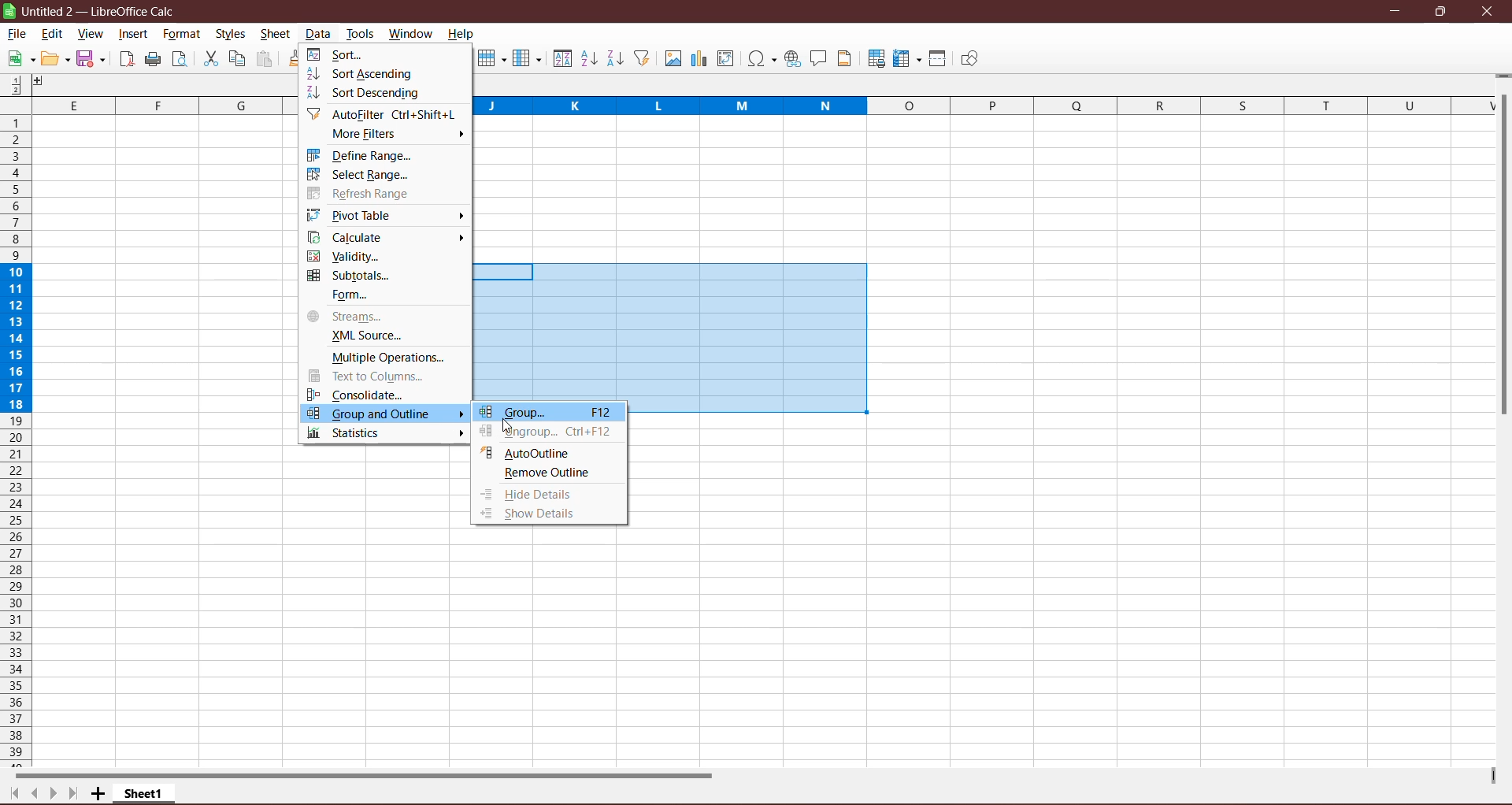 The image size is (1512, 805). I want to click on Show Draw Functions, so click(969, 59).